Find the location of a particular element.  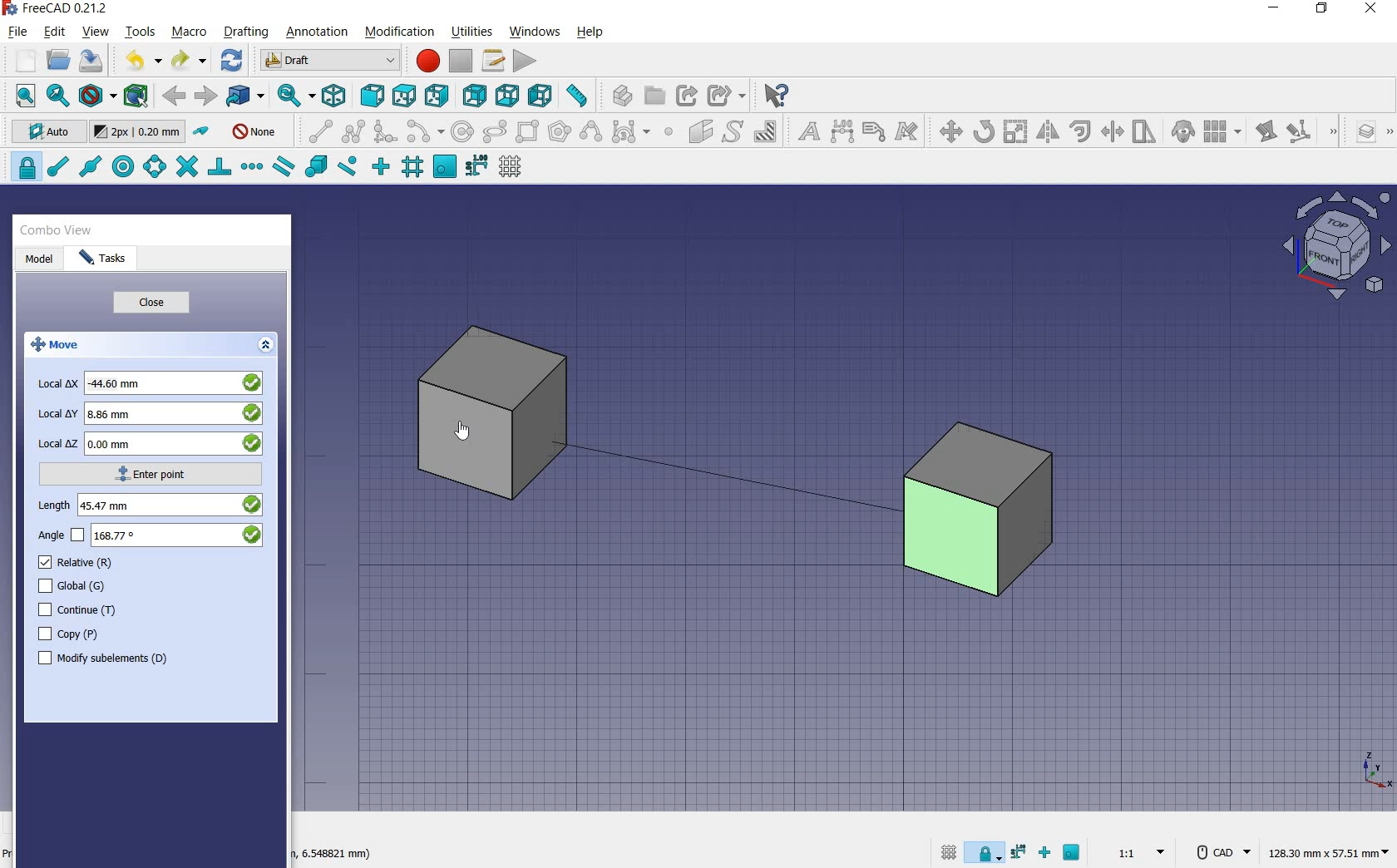

snap dimensions is located at coordinates (477, 167).